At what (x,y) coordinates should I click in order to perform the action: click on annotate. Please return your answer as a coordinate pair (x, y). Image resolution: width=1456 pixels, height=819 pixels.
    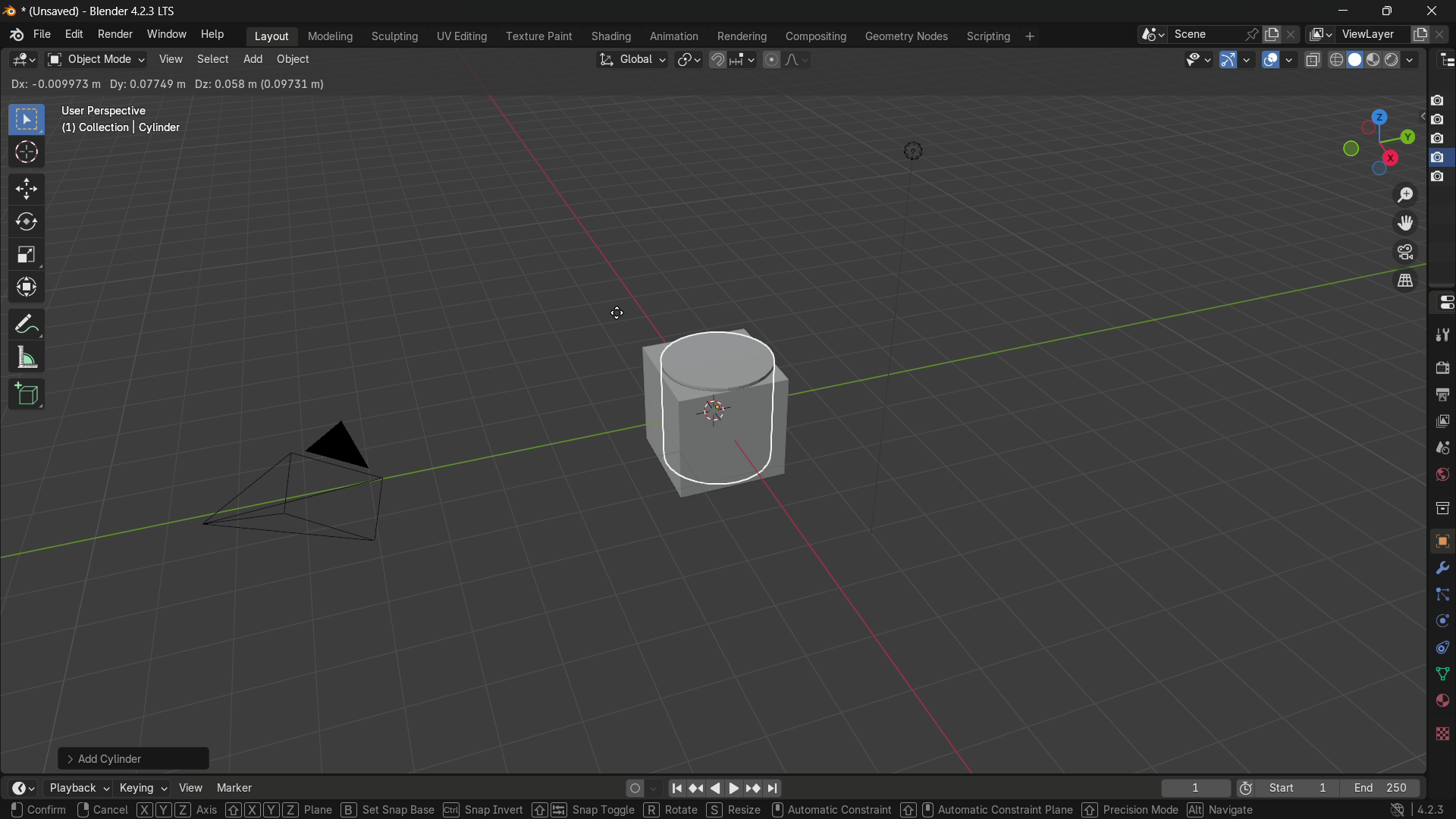
    Looking at the image, I should click on (27, 325).